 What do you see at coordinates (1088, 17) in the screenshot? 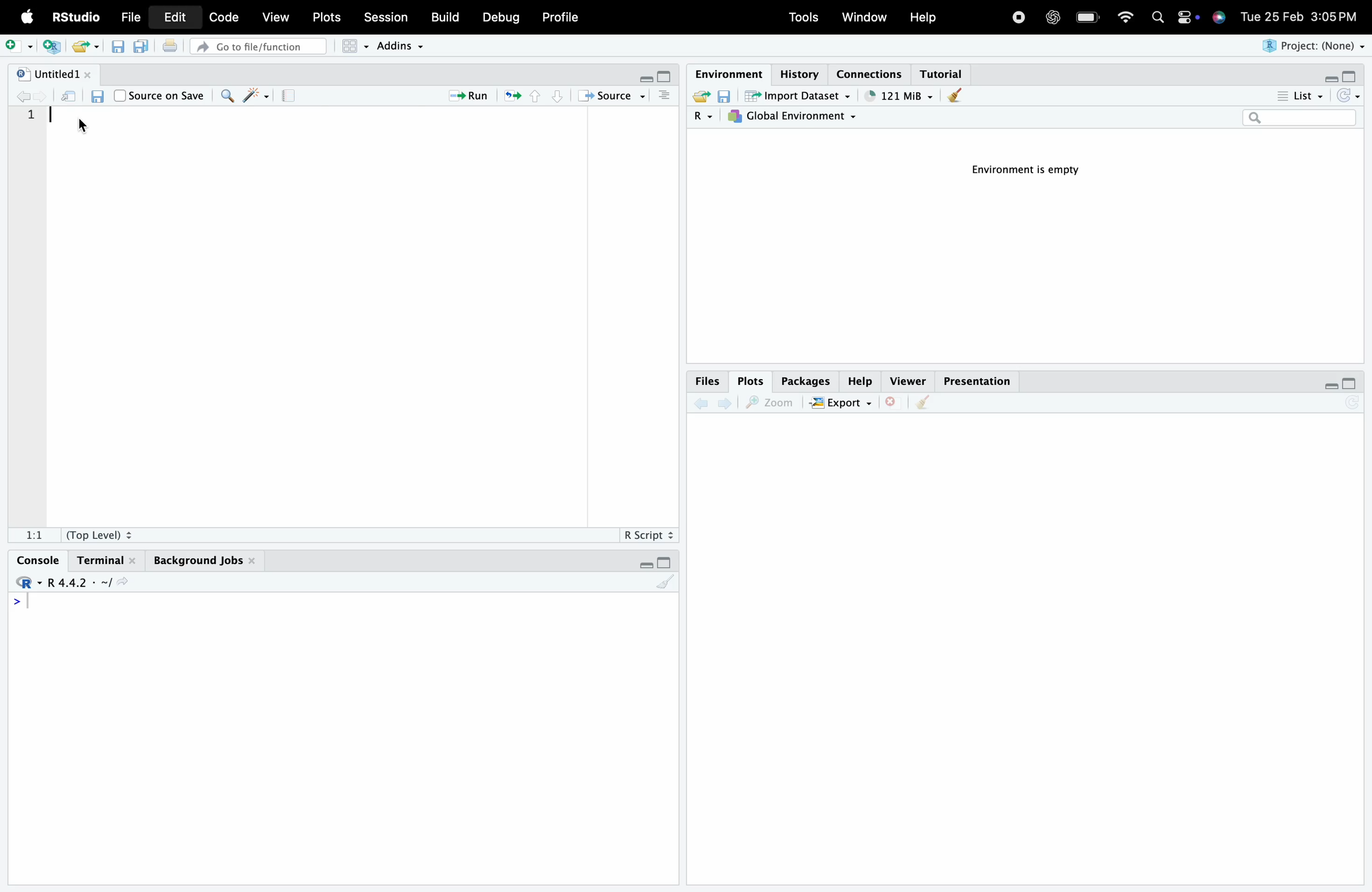
I see `Charging` at bounding box center [1088, 17].